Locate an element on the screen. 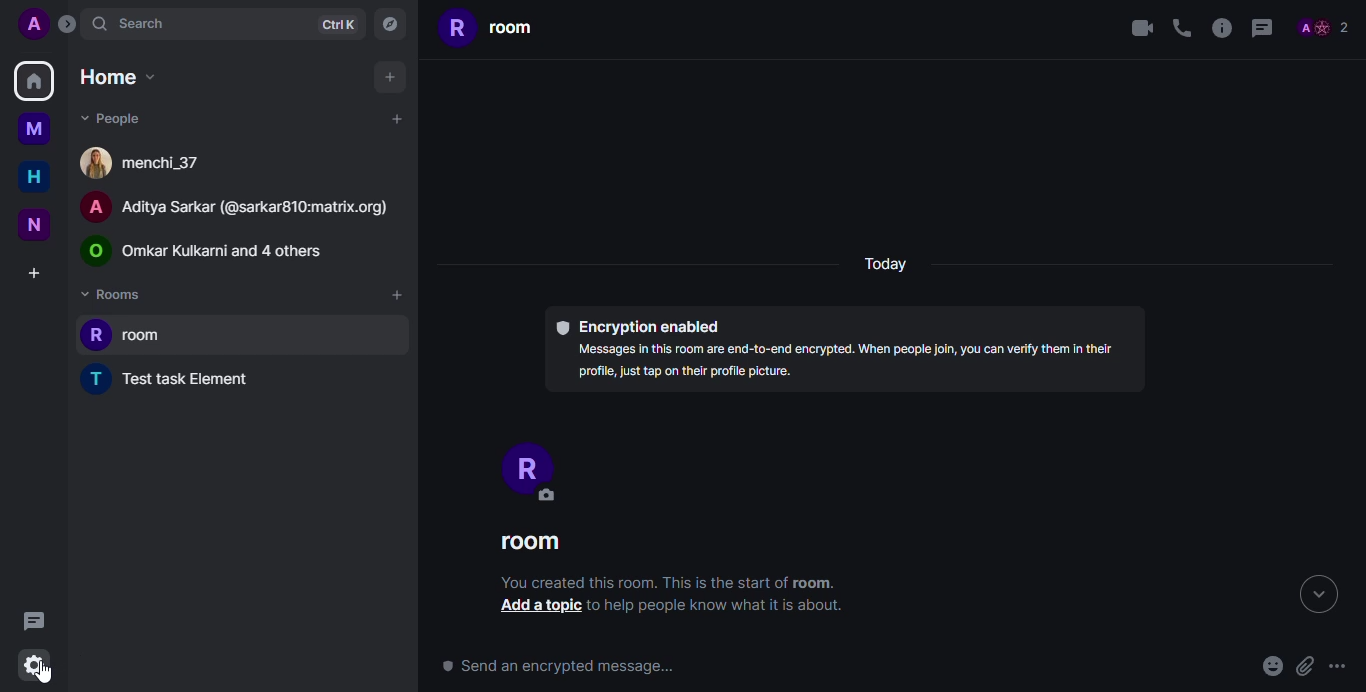  add is located at coordinates (396, 295).